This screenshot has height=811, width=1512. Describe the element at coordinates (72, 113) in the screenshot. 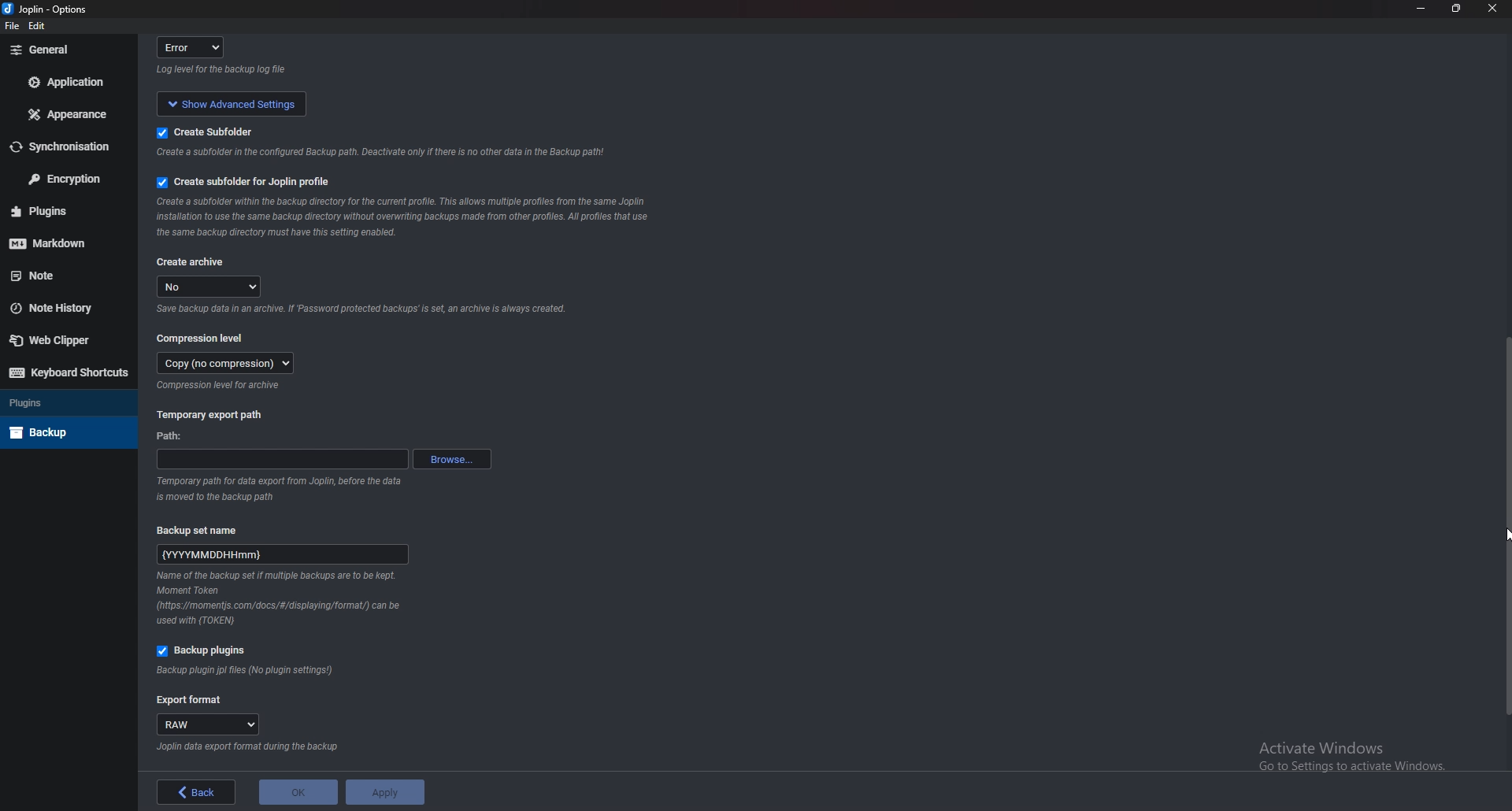

I see `Appearance` at that location.